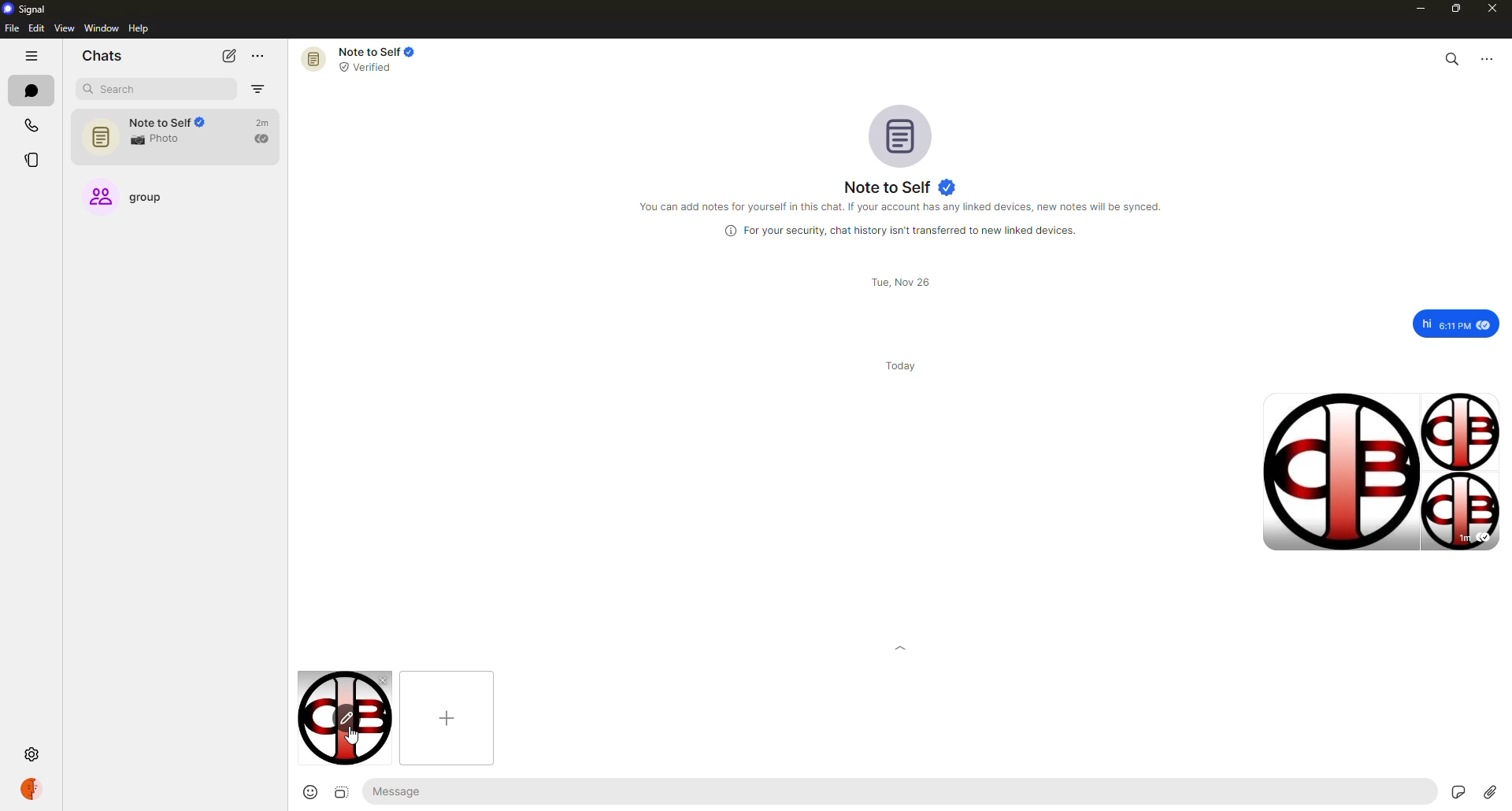  What do you see at coordinates (1457, 323) in the screenshot?
I see `message` at bounding box center [1457, 323].